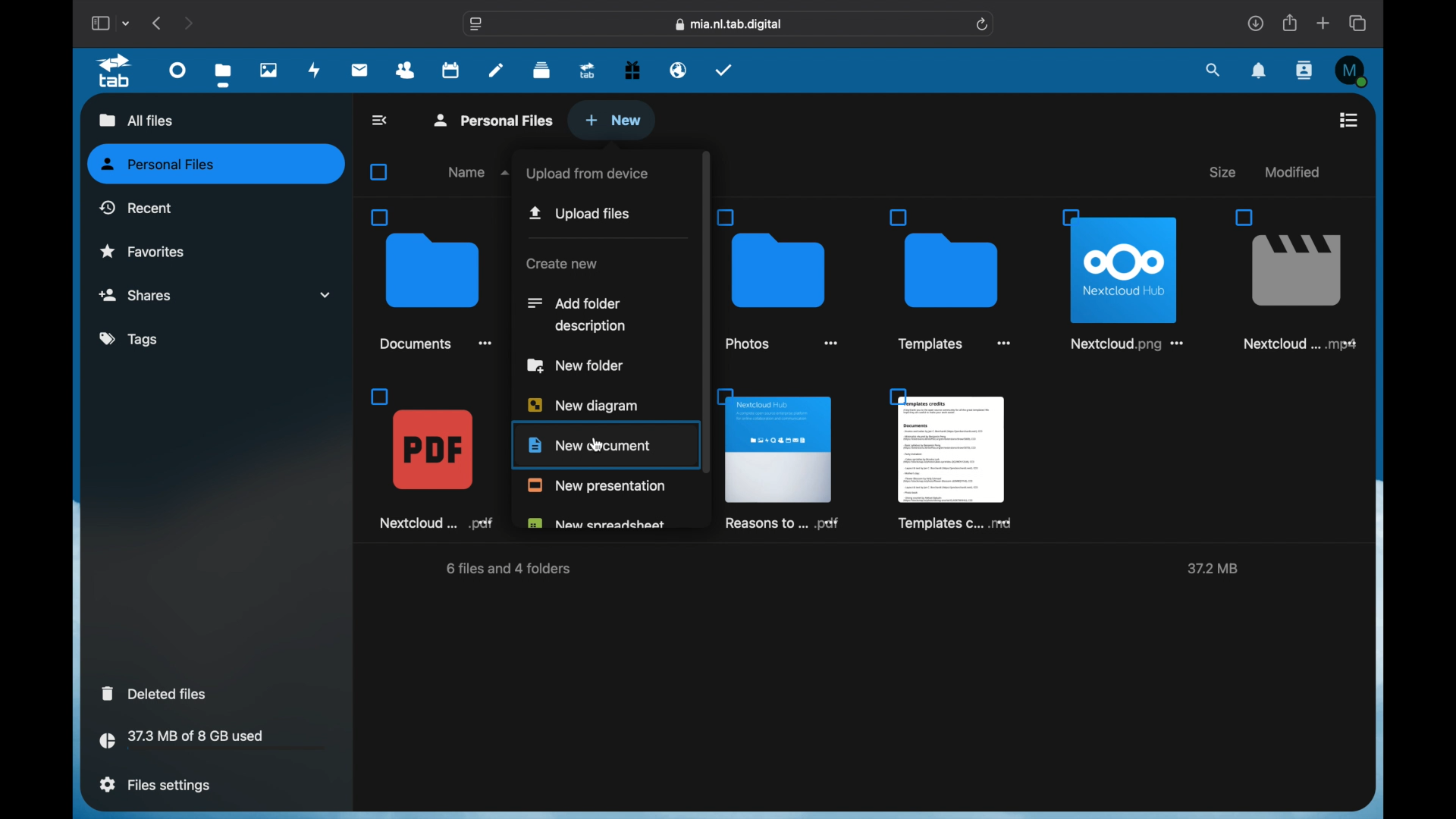 This screenshot has width=1456, height=819. I want to click on 37.2 MB, so click(1210, 570).